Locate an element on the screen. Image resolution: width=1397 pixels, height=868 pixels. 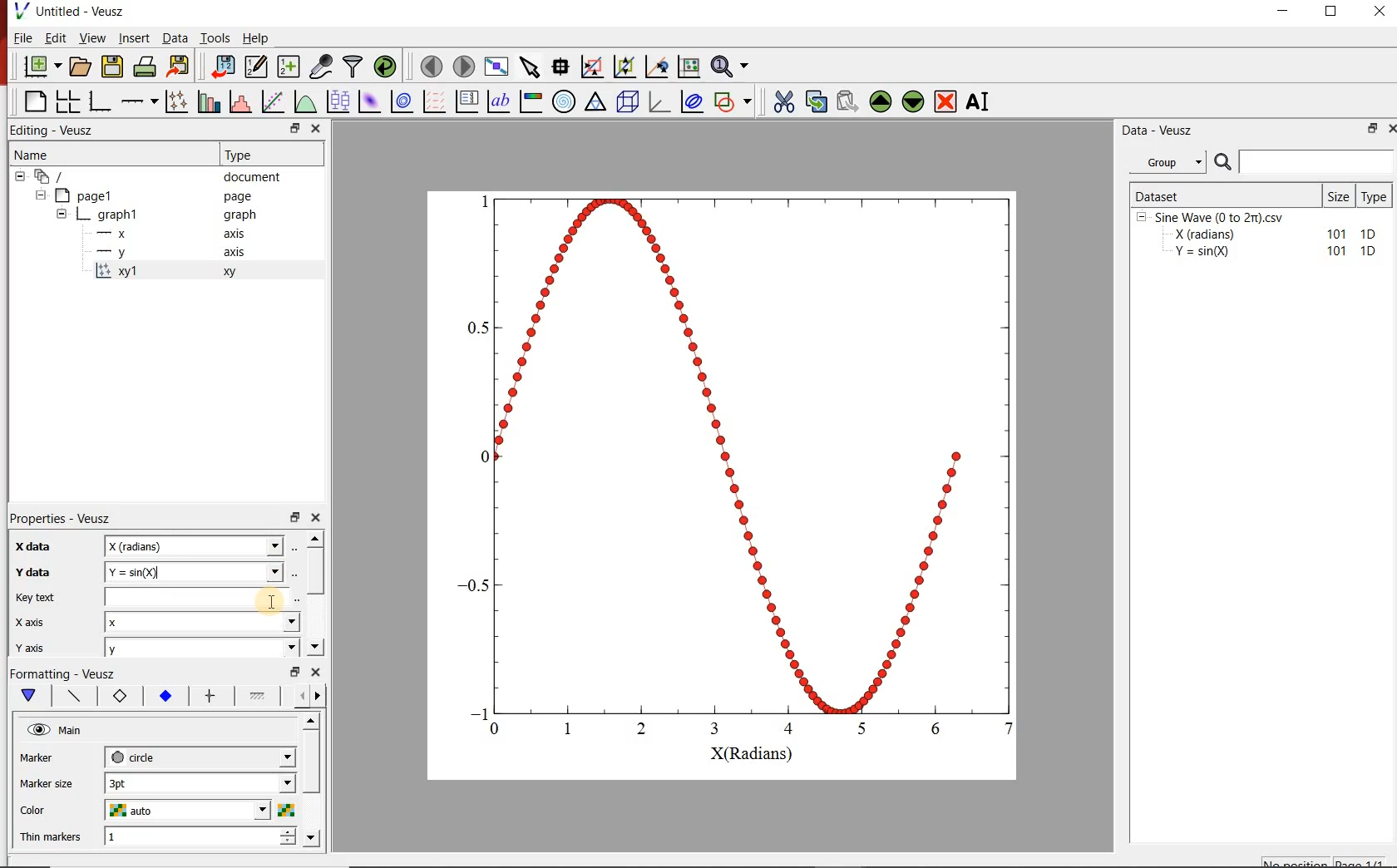
Search is located at coordinates (1305, 162).